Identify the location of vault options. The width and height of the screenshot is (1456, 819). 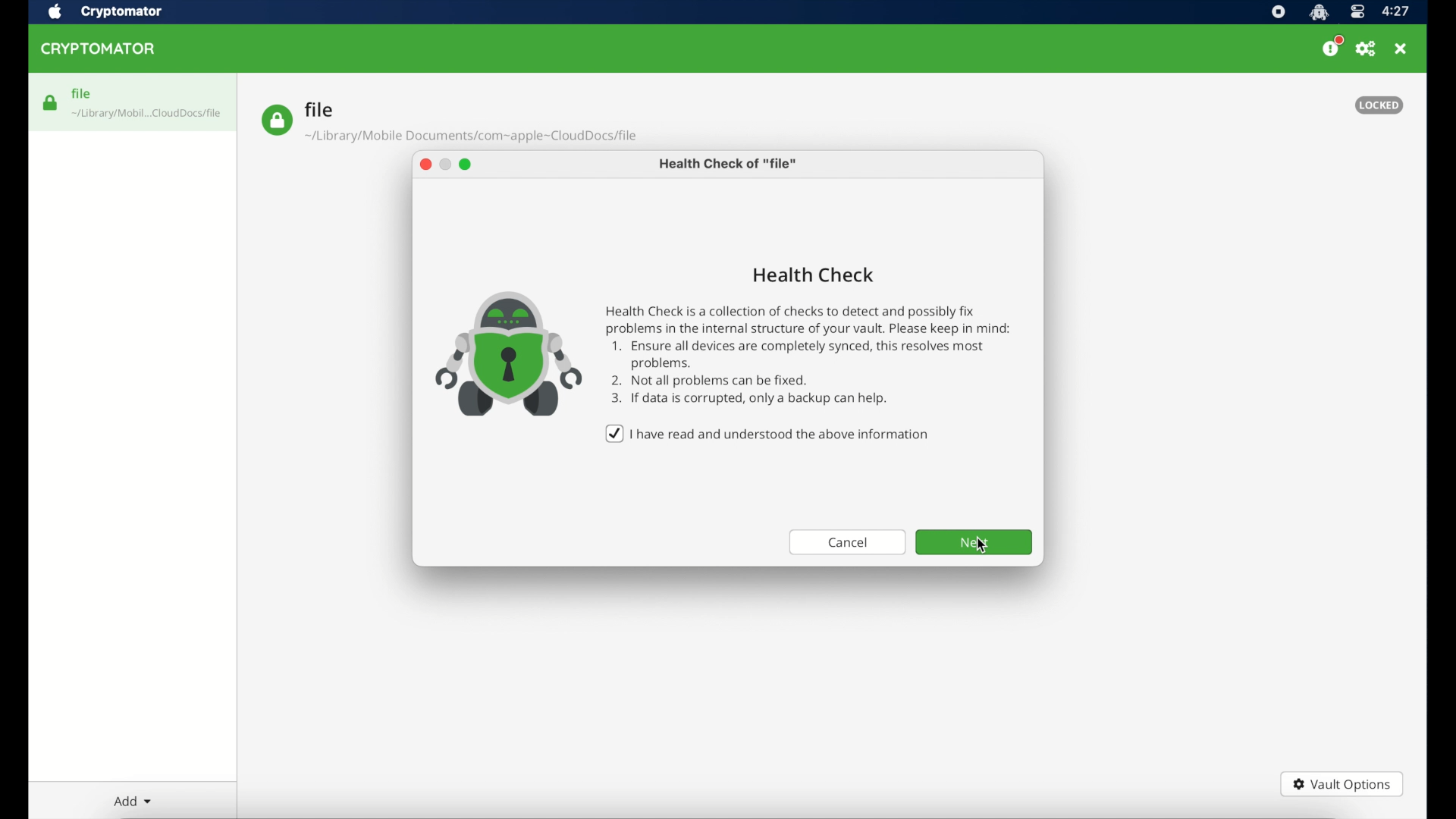
(1342, 784).